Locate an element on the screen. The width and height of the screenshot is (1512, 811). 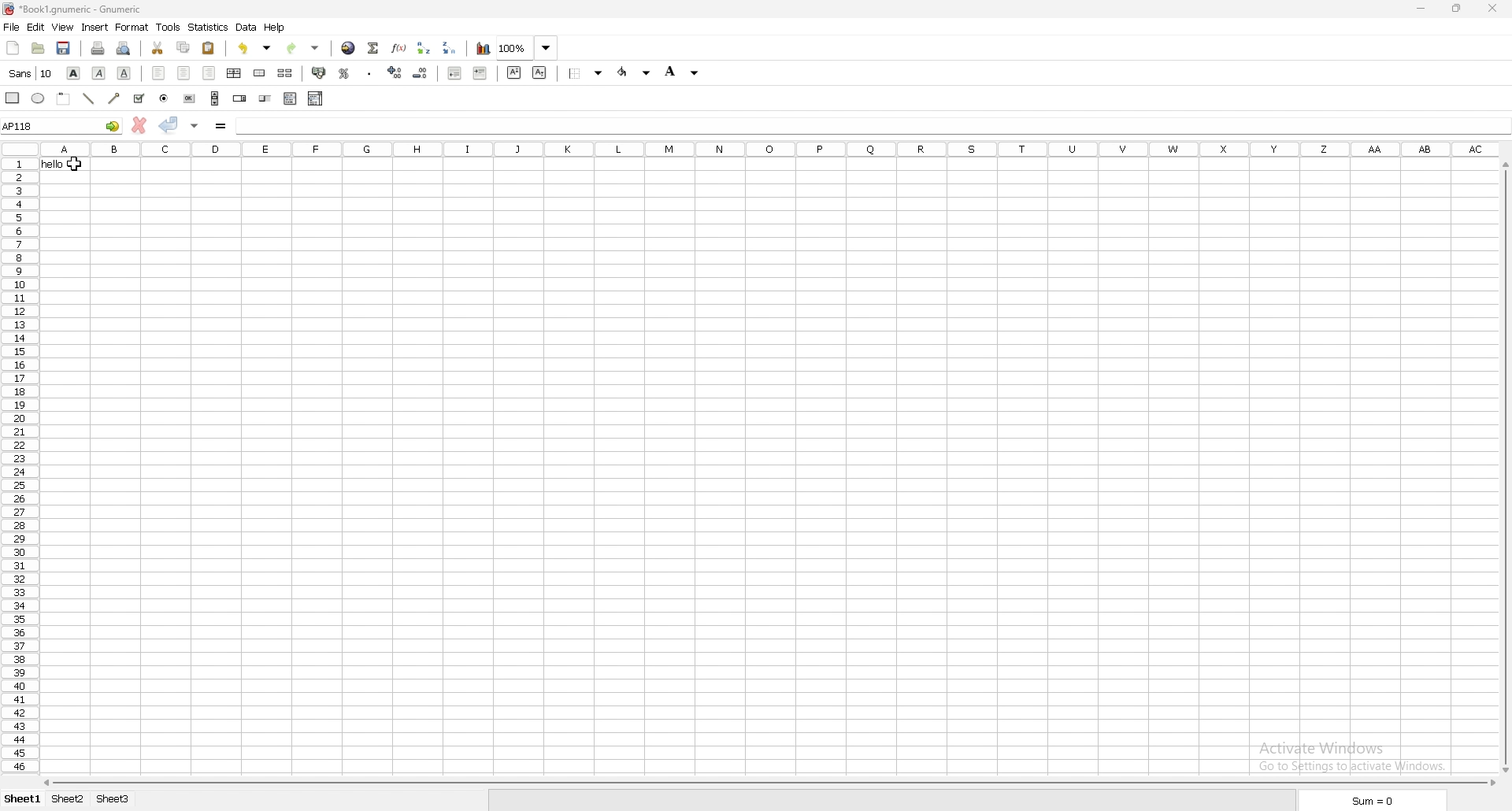
spin button is located at coordinates (239, 98).